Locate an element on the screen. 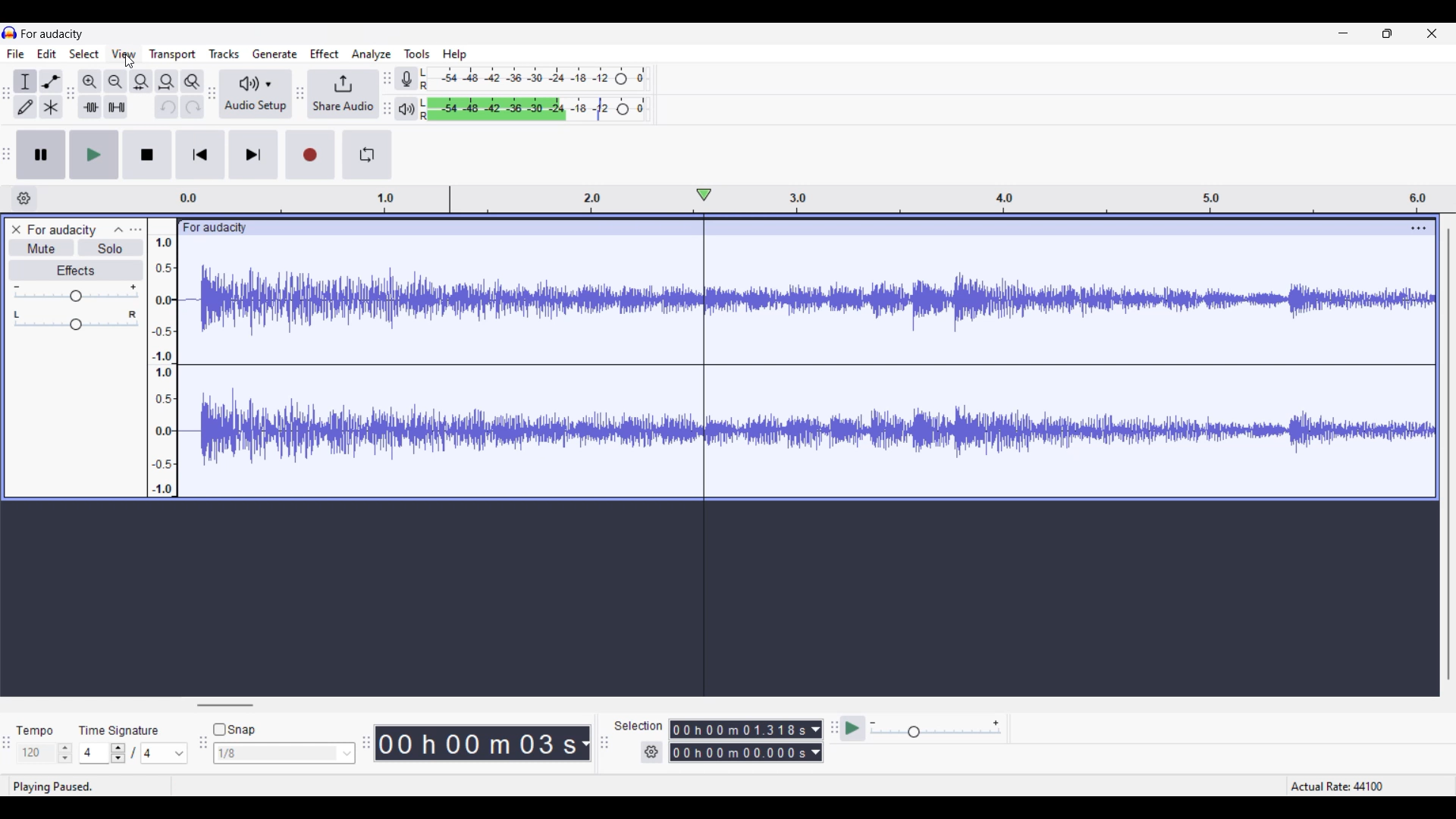  Timeline settings is located at coordinates (24, 199).